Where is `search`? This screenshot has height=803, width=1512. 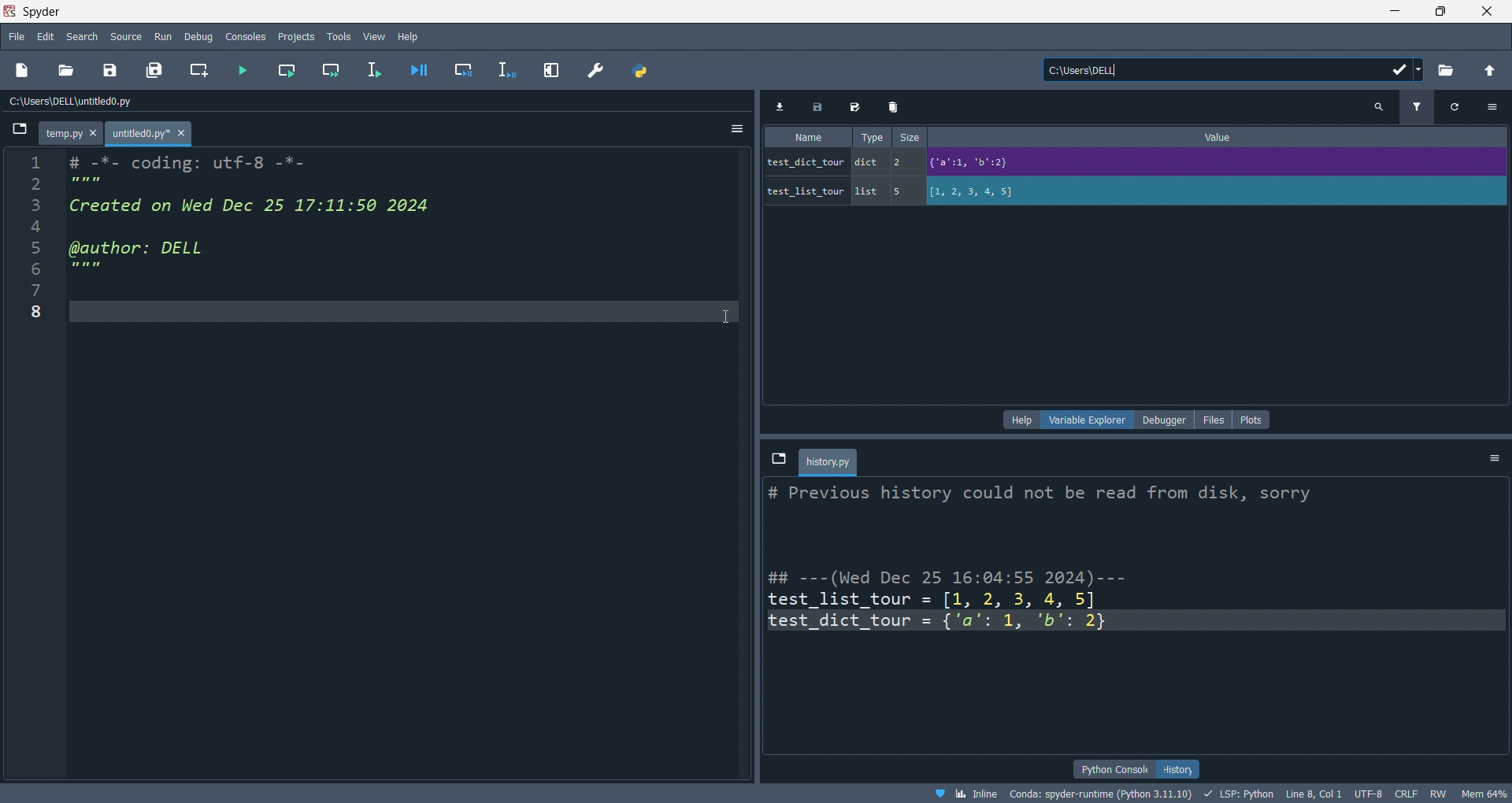
search is located at coordinates (1379, 108).